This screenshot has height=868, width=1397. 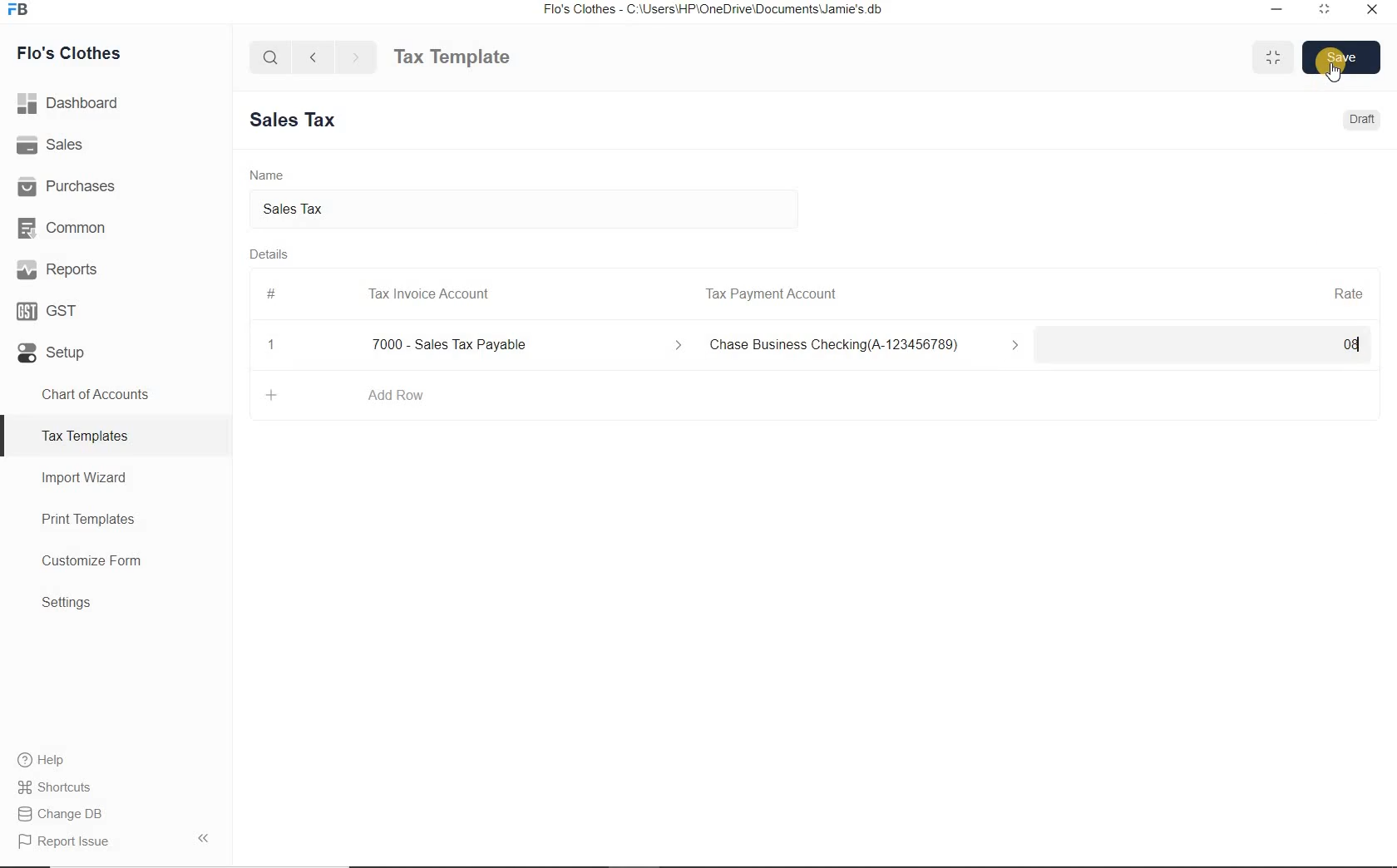 I want to click on 7000 - Sales Tax Payable, so click(x=522, y=345).